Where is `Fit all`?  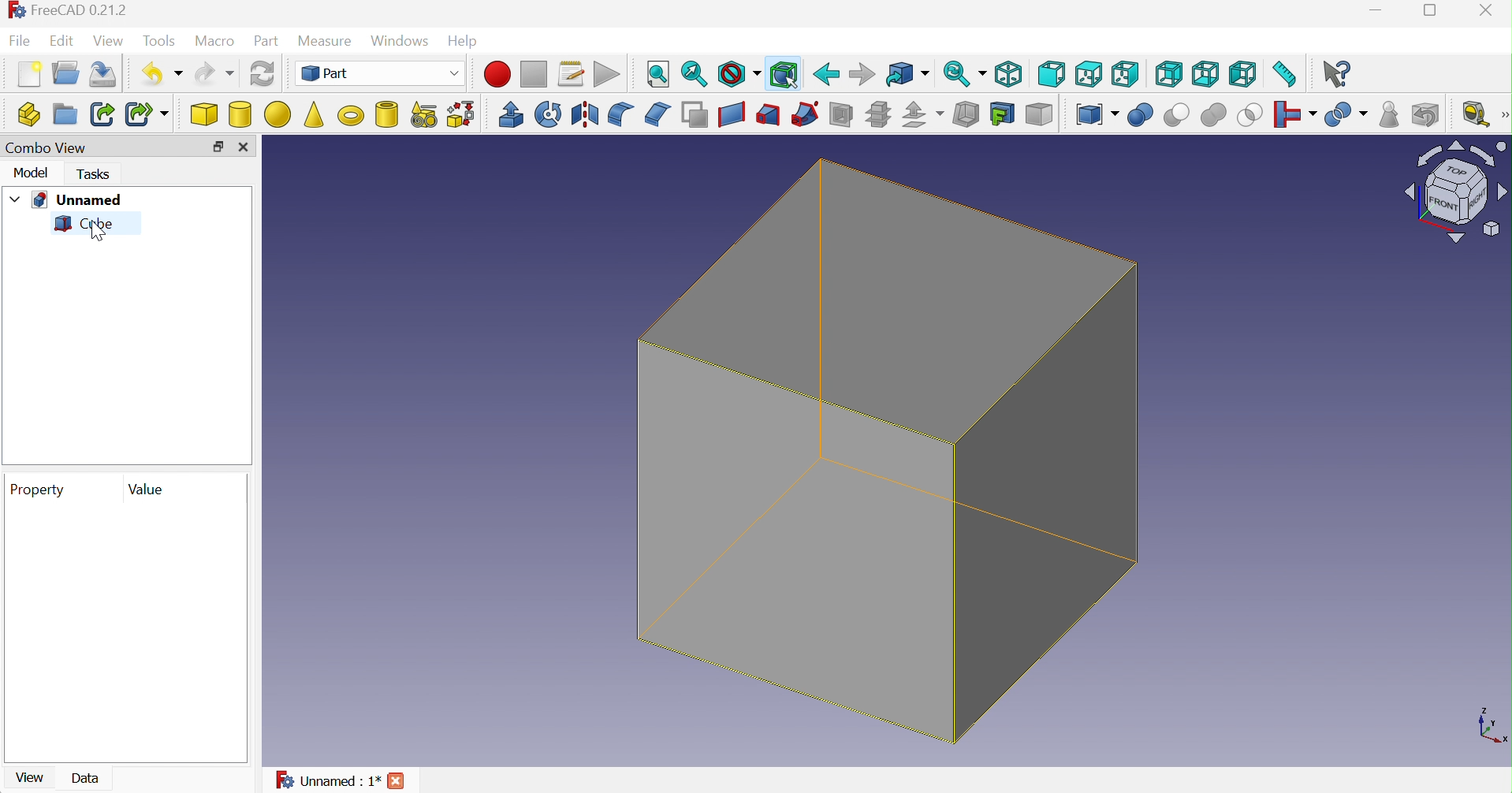 Fit all is located at coordinates (657, 75).